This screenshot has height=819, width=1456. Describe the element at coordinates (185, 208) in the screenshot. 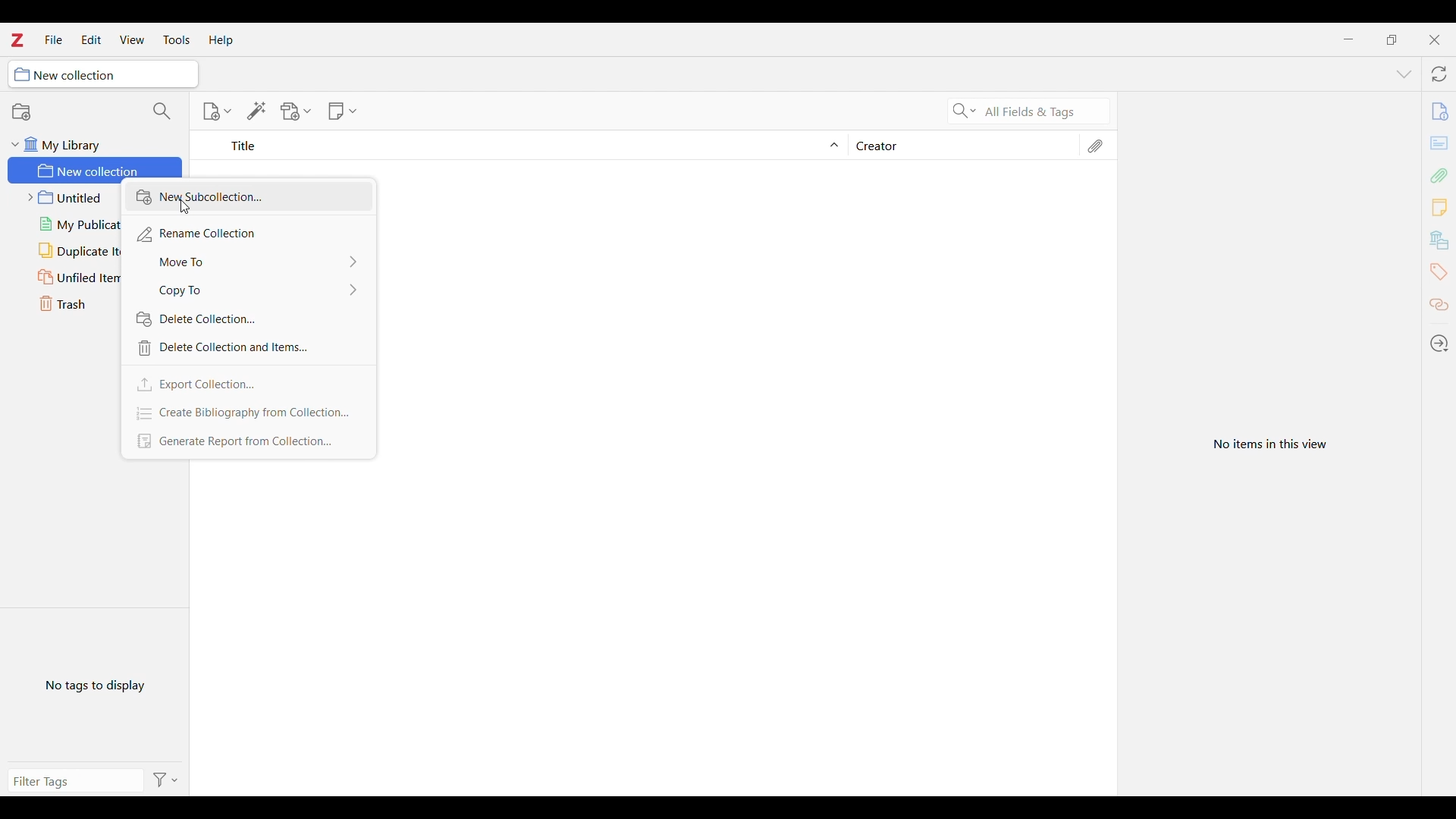

I see `Cursor clicking on New subcollection` at that location.